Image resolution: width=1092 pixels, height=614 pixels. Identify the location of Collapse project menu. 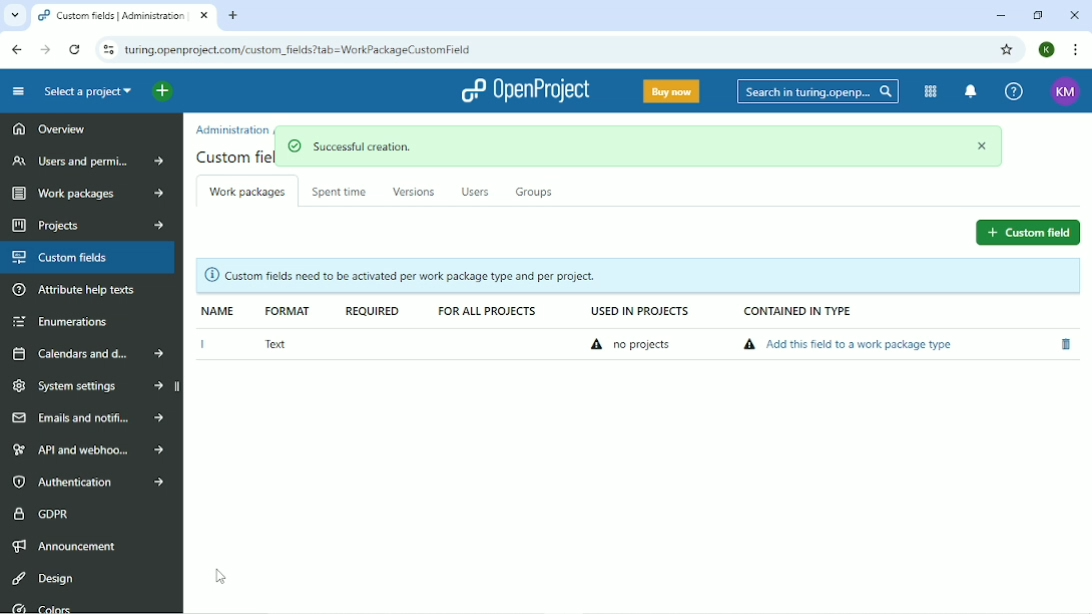
(18, 91).